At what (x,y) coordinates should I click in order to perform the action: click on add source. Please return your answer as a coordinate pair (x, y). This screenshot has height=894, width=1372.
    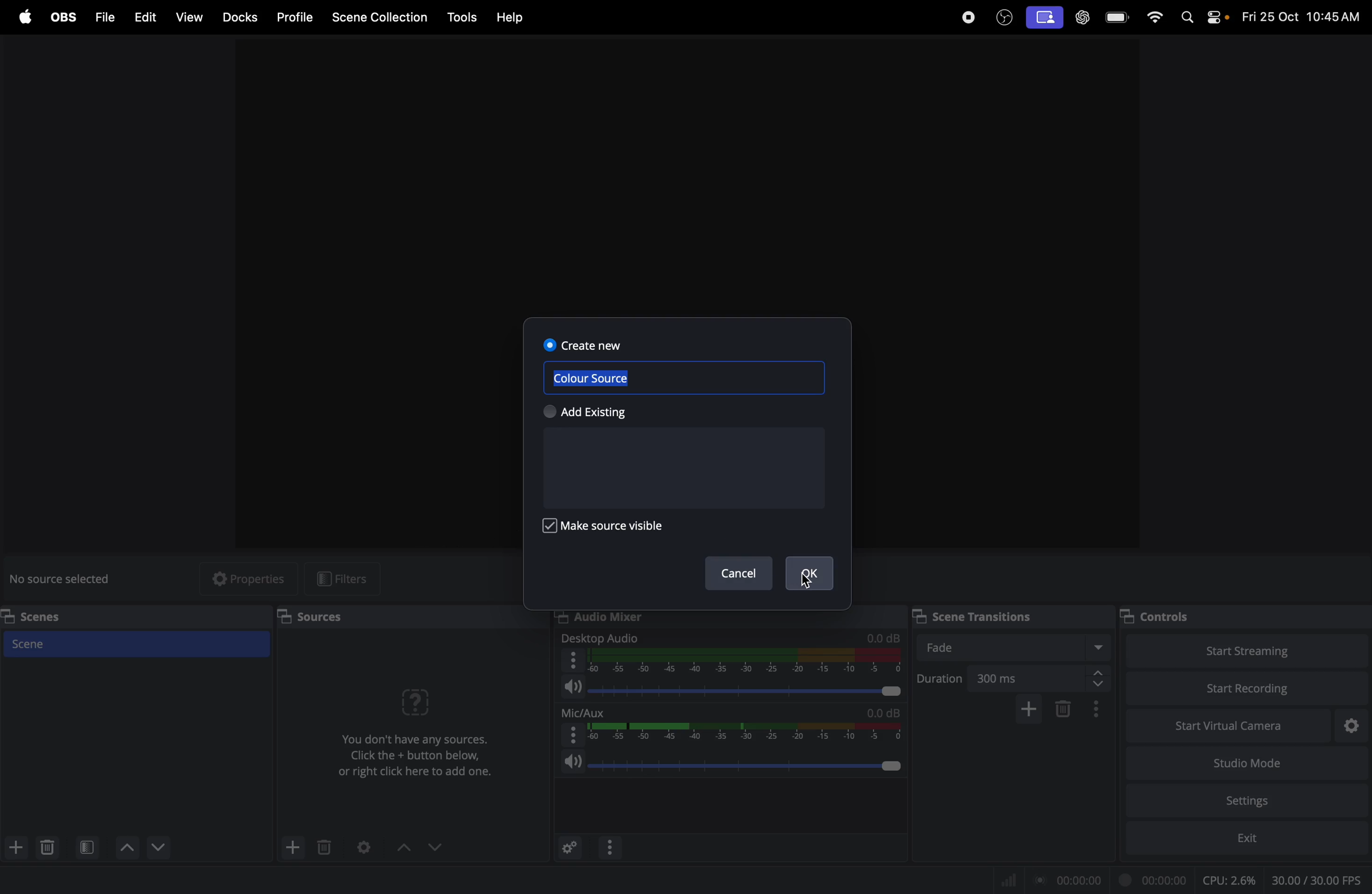
    Looking at the image, I should click on (291, 848).